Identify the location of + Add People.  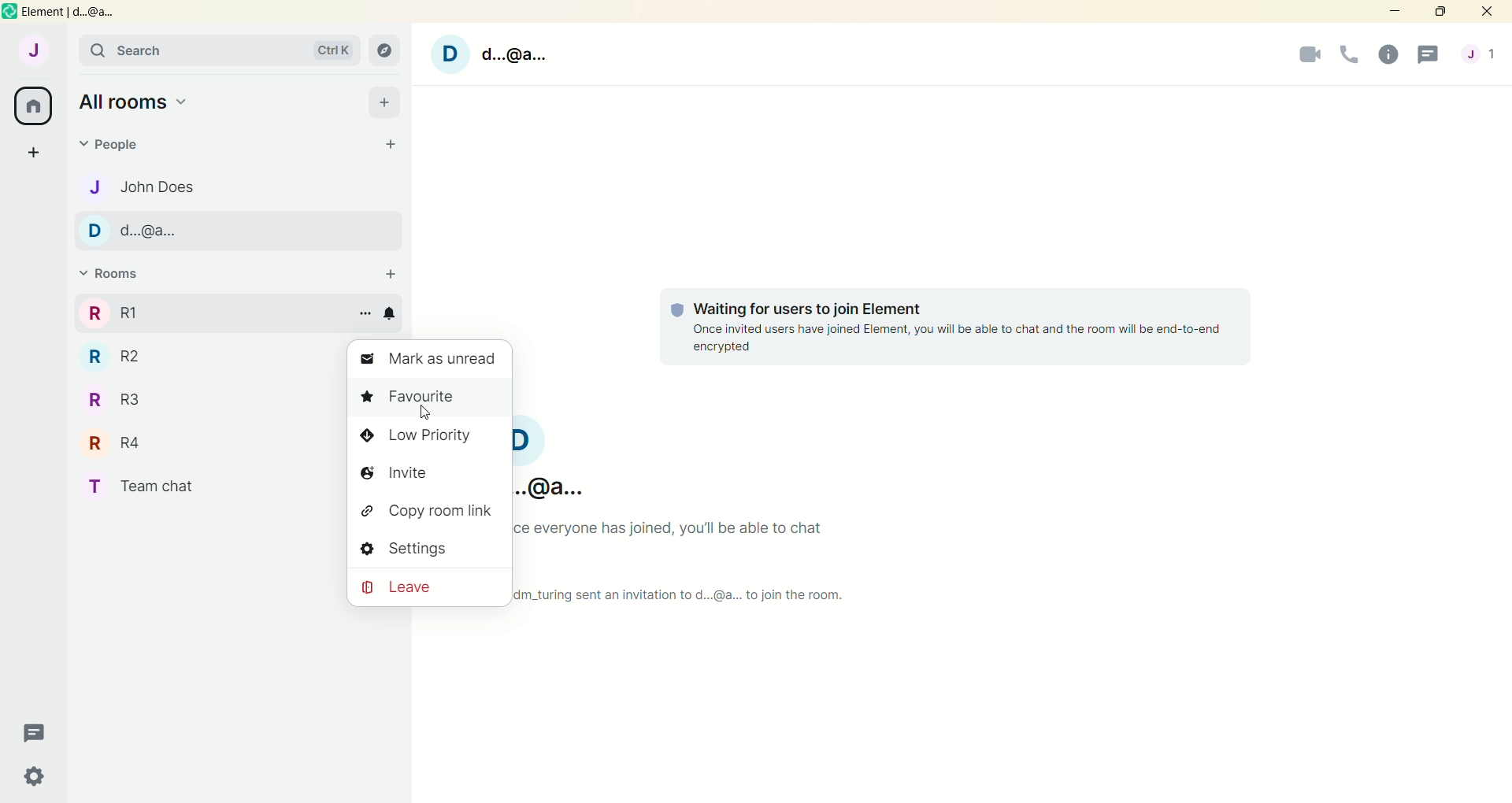
(391, 142).